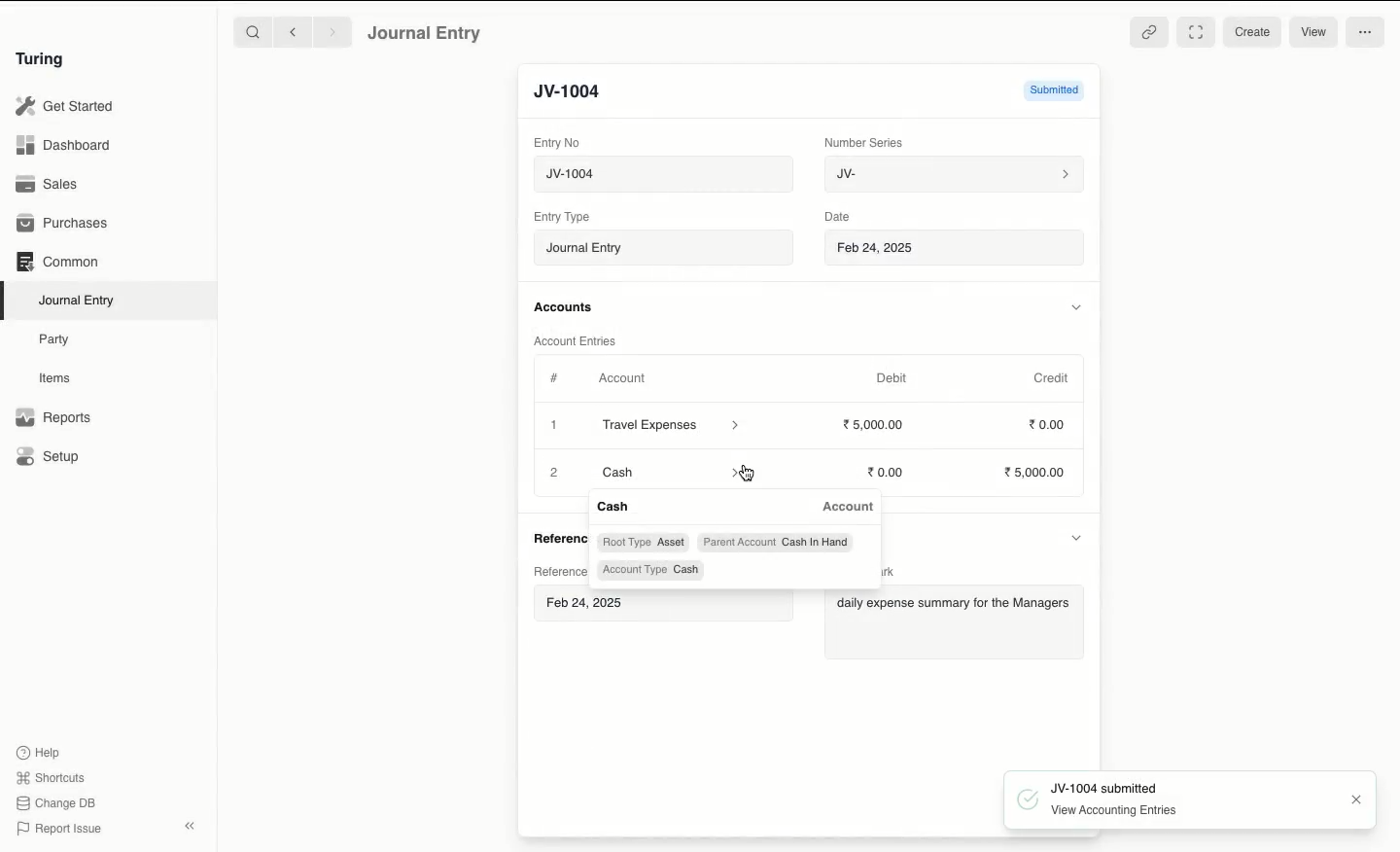 The height and width of the screenshot is (852, 1400). What do you see at coordinates (578, 340) in the screenshot?
I see `Account Entries` at bounding box center [578, 340].